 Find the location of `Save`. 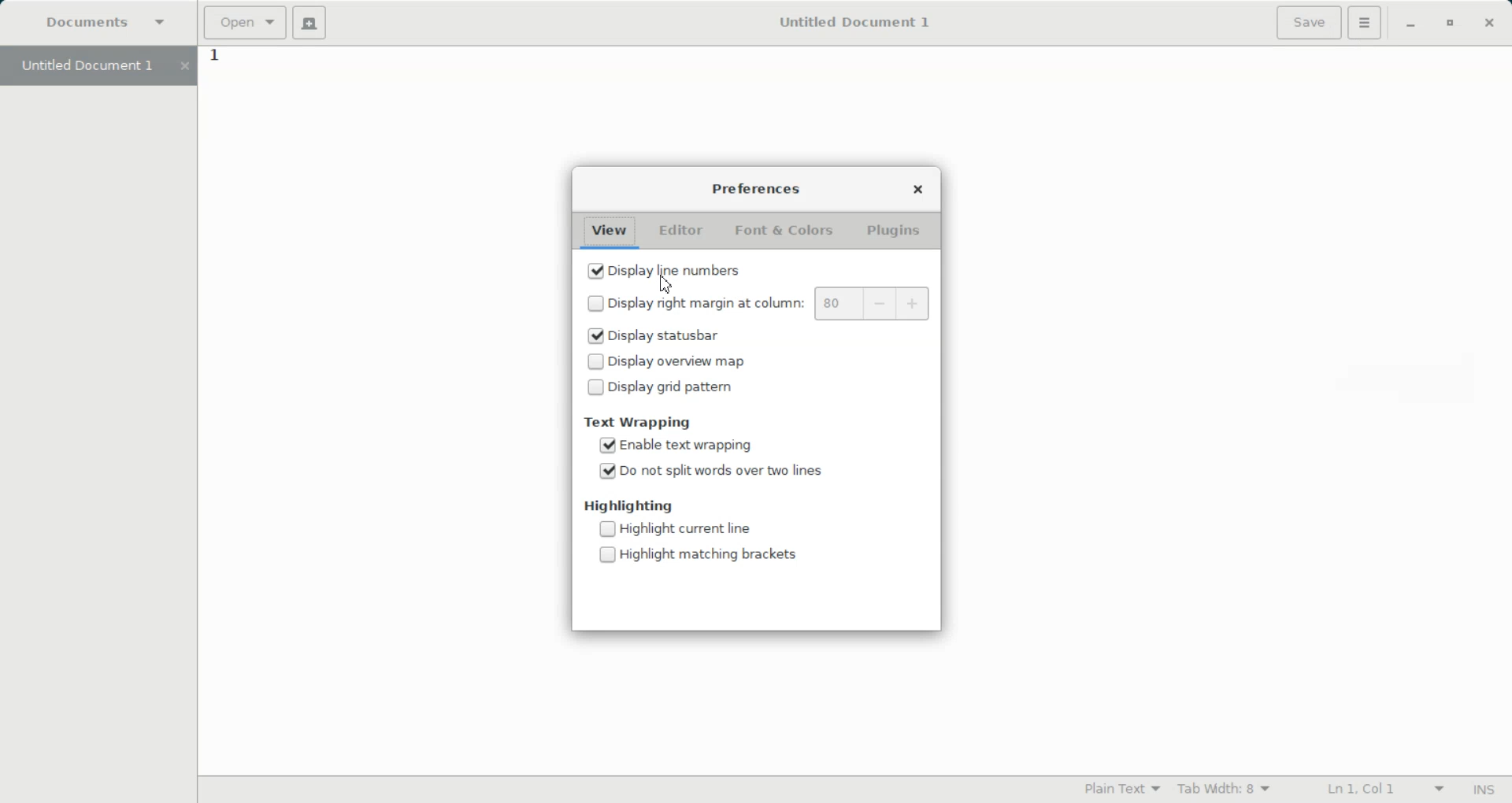

Save is located at coordinates (1309, 22).